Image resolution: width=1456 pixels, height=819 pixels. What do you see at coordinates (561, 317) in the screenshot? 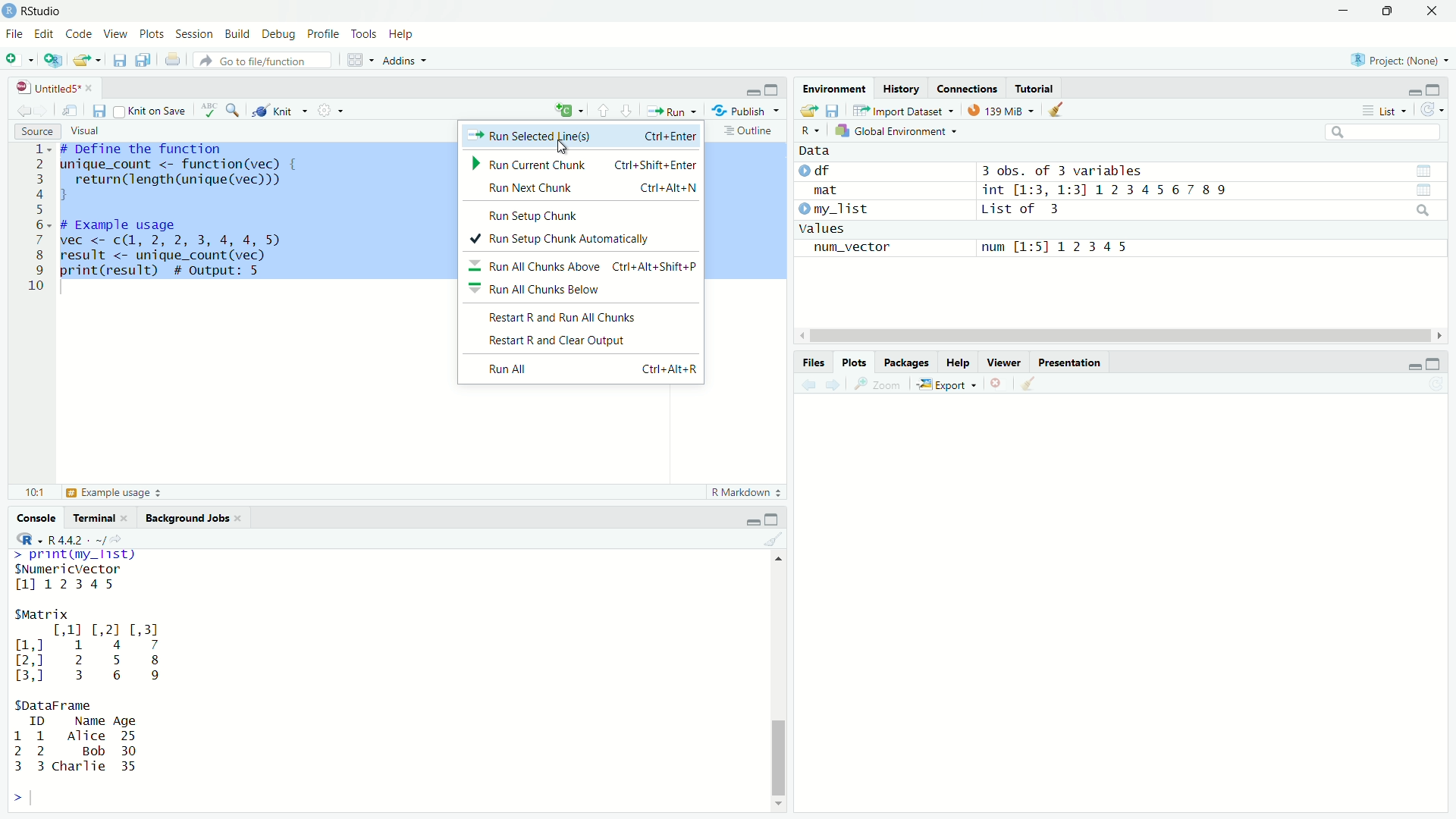
I see `Restart R and Run All chunks` at bounding box center [561, 317].